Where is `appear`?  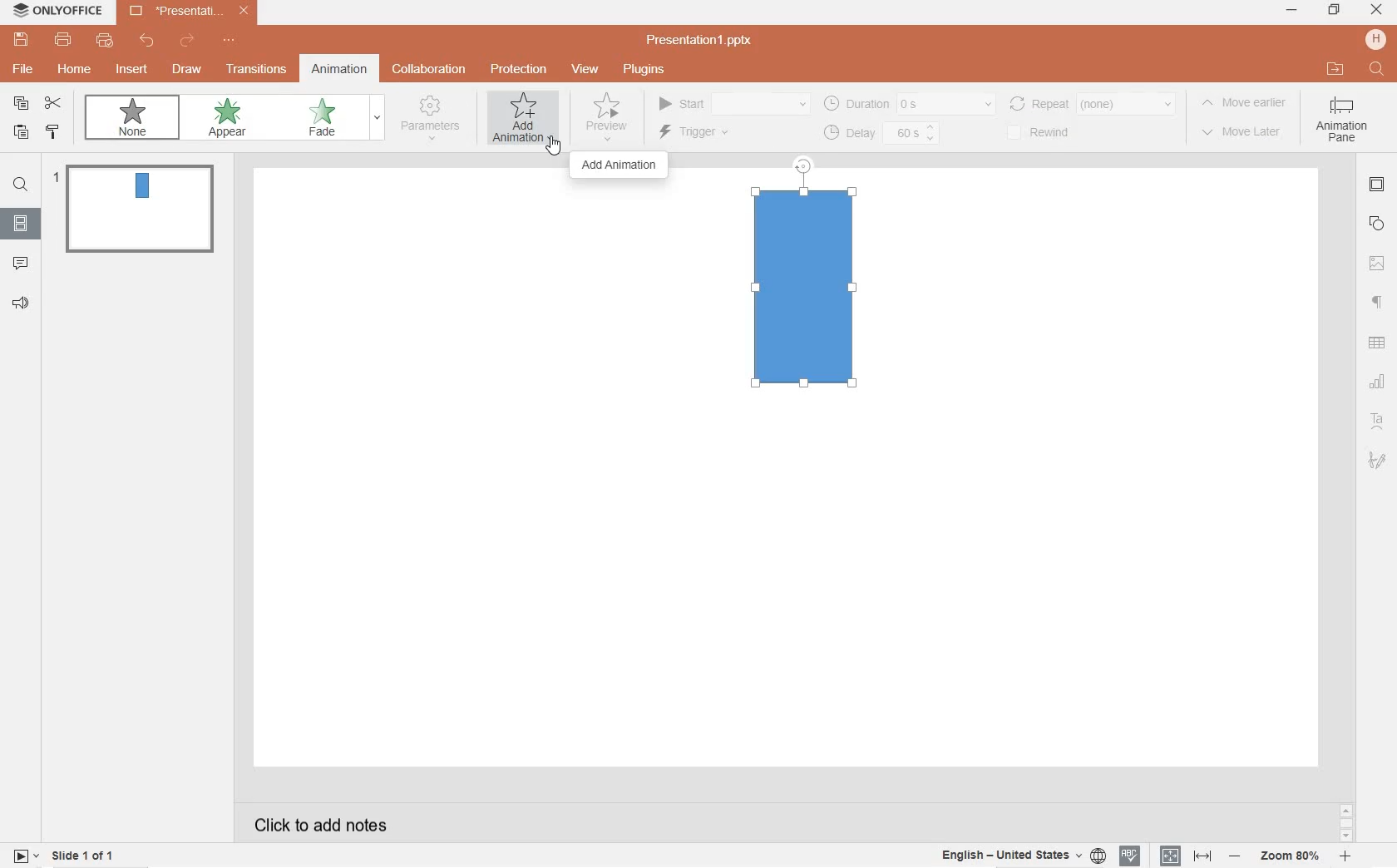
appear is located at coordinates (230, 119).